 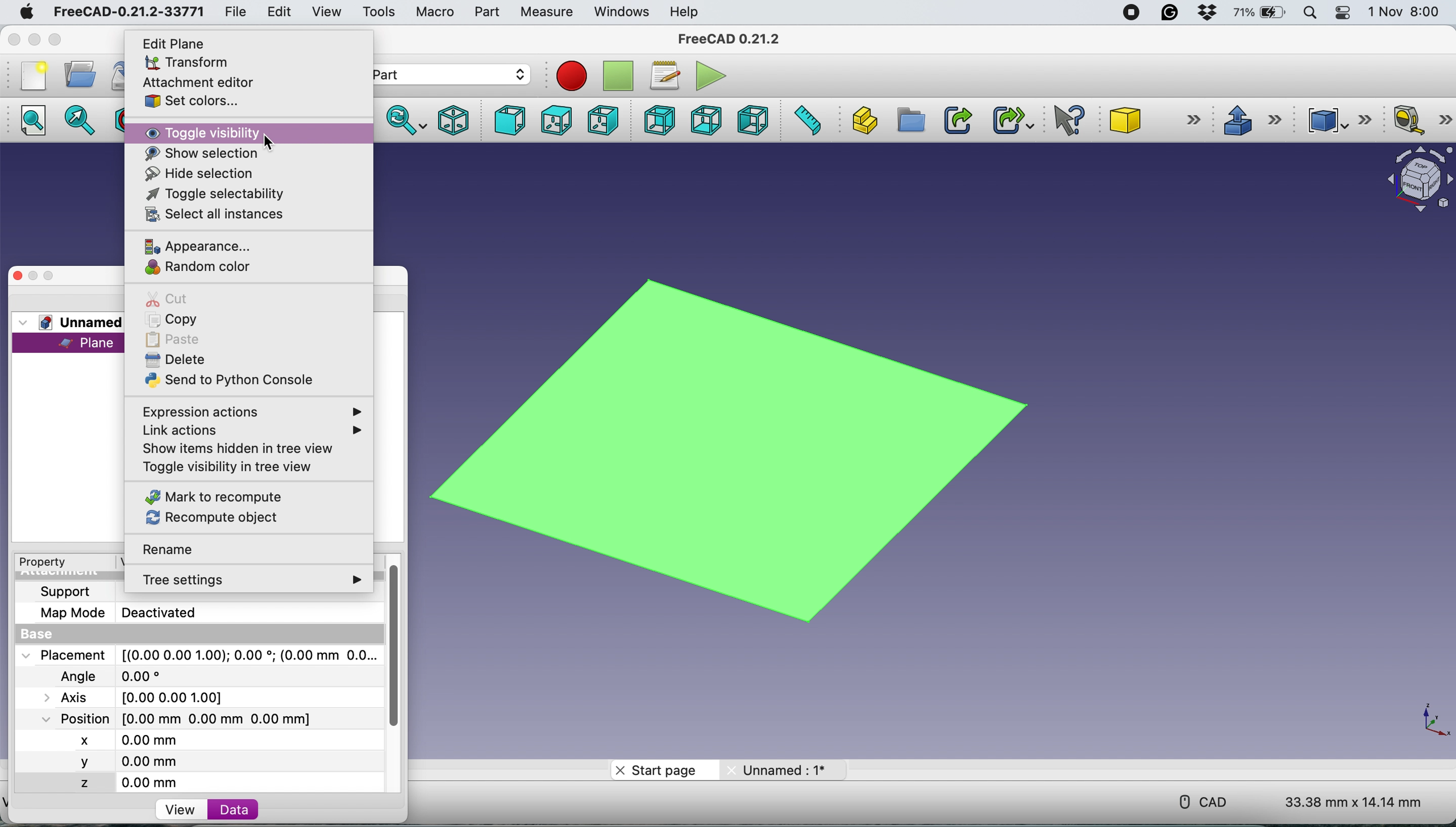 What do you see at coordinates (664, 76) in the screenshot?
I see `macros` at bounding box center [664, 76].